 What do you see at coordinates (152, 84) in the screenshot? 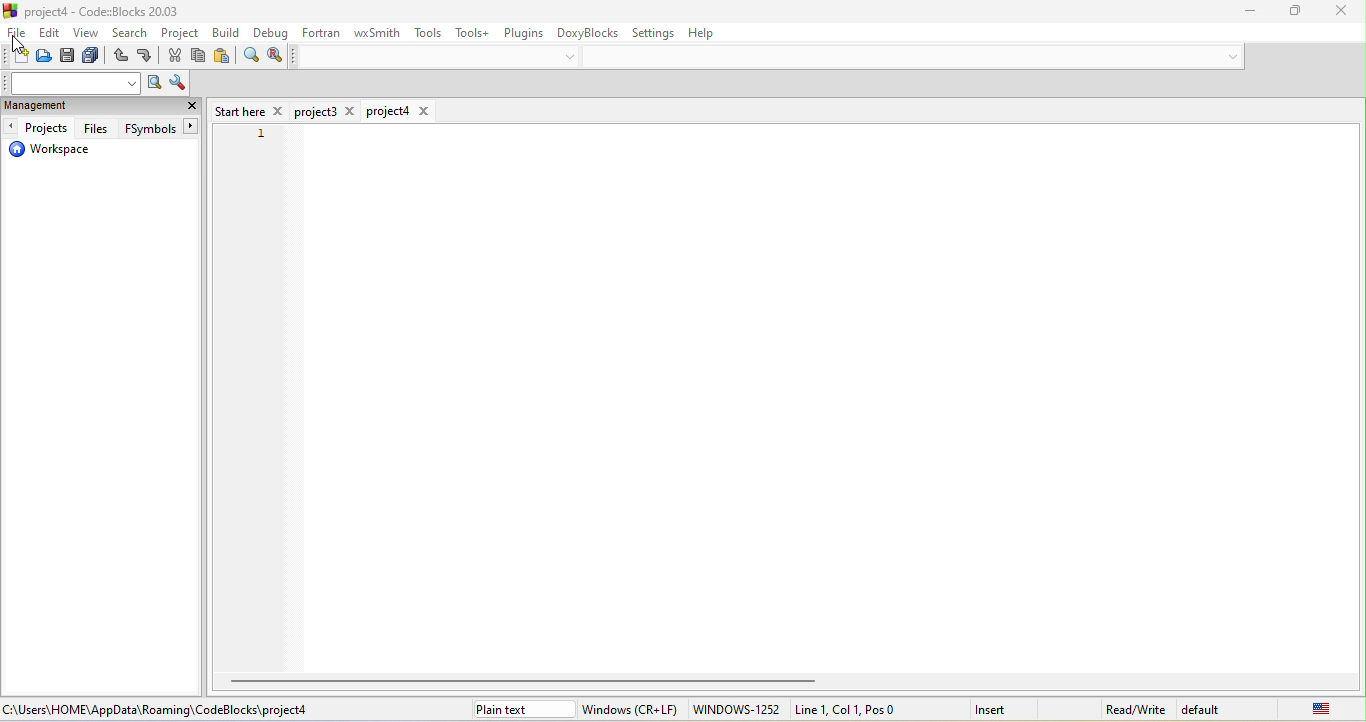
I see `run search` at bounding box center [152, 84].